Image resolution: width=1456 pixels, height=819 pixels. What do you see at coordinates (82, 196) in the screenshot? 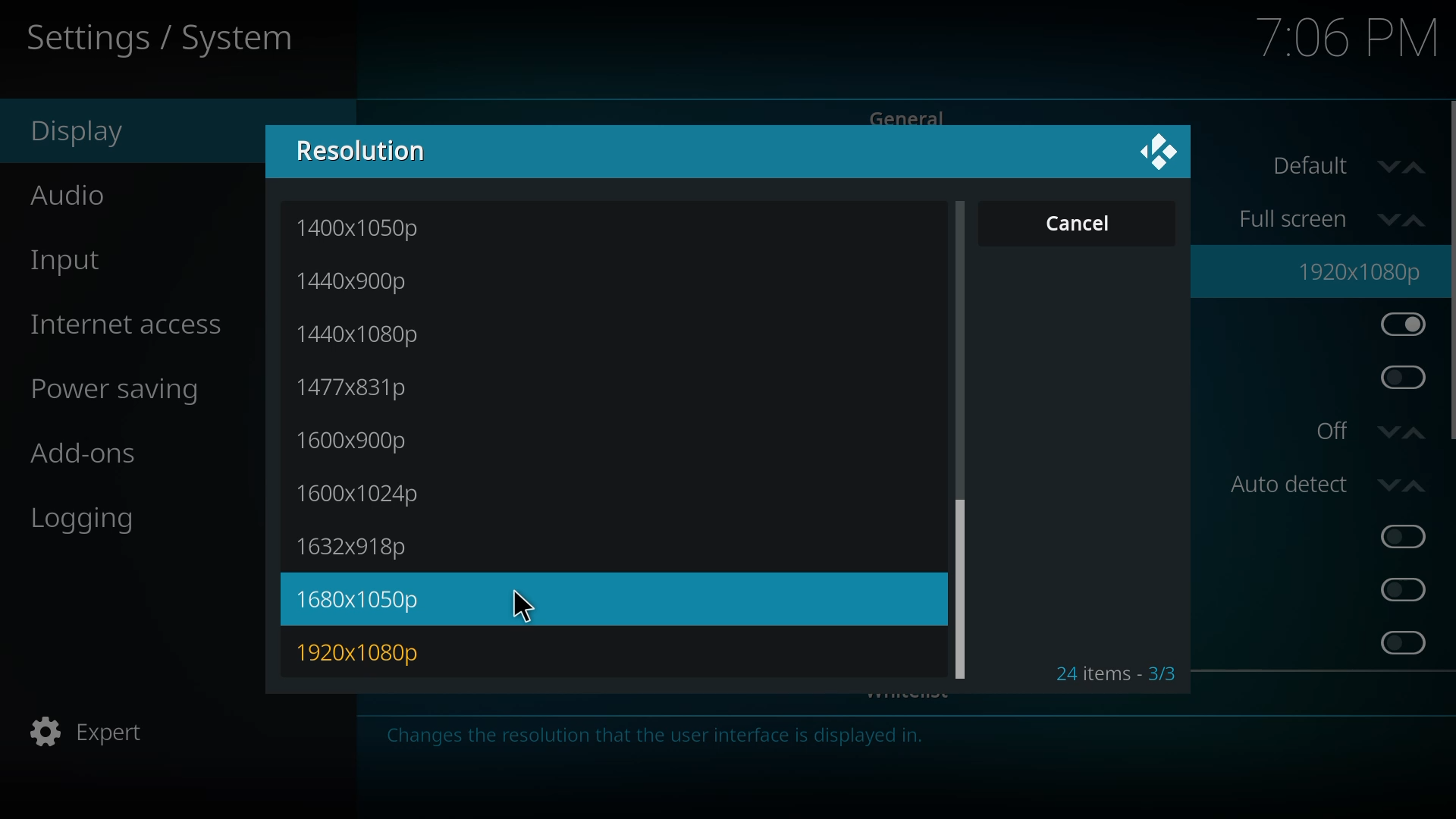
I see `audio` at bounding box center [82, 196].